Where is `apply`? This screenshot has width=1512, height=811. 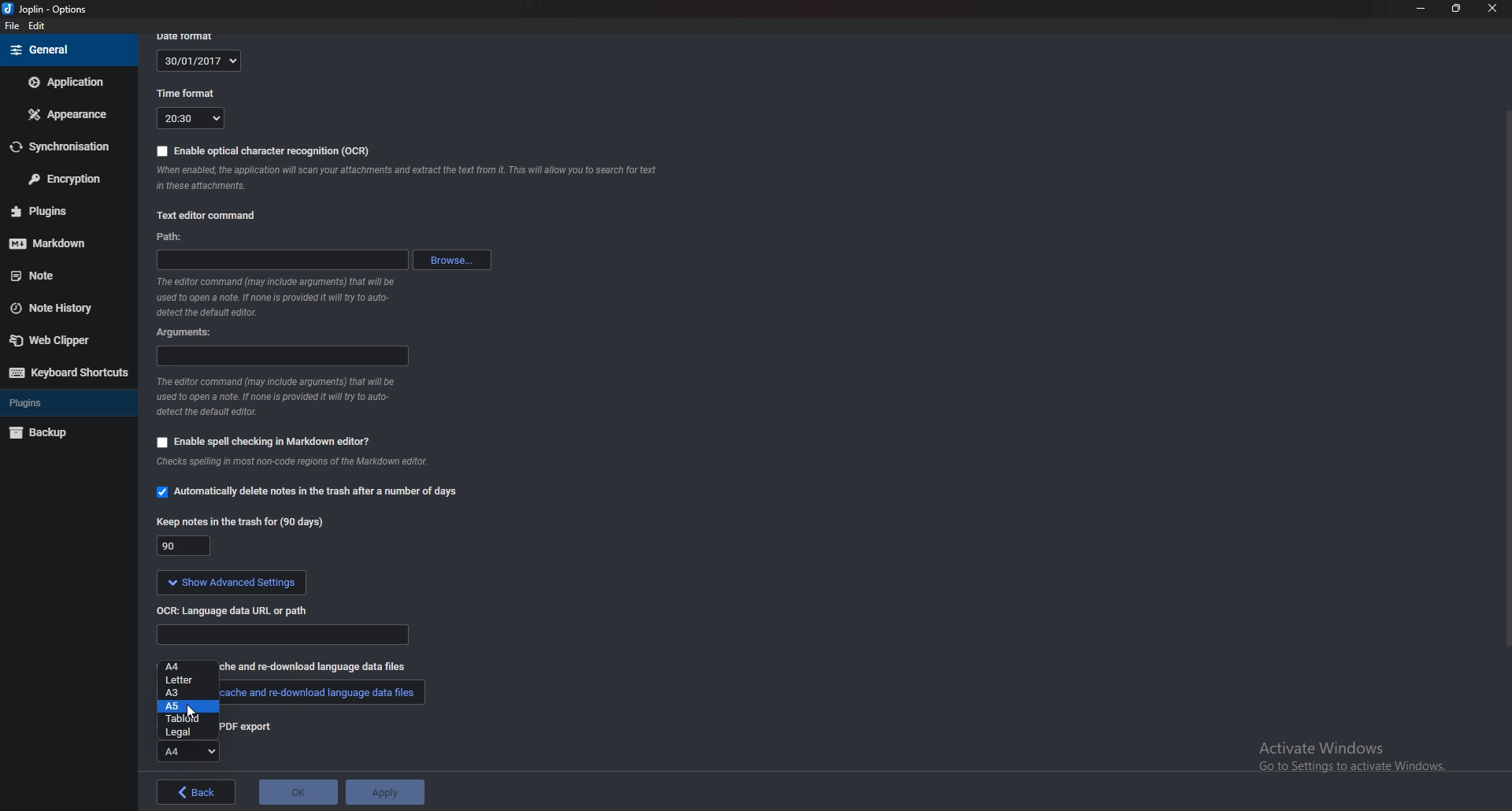
apply is located at coordinates (384, 792).